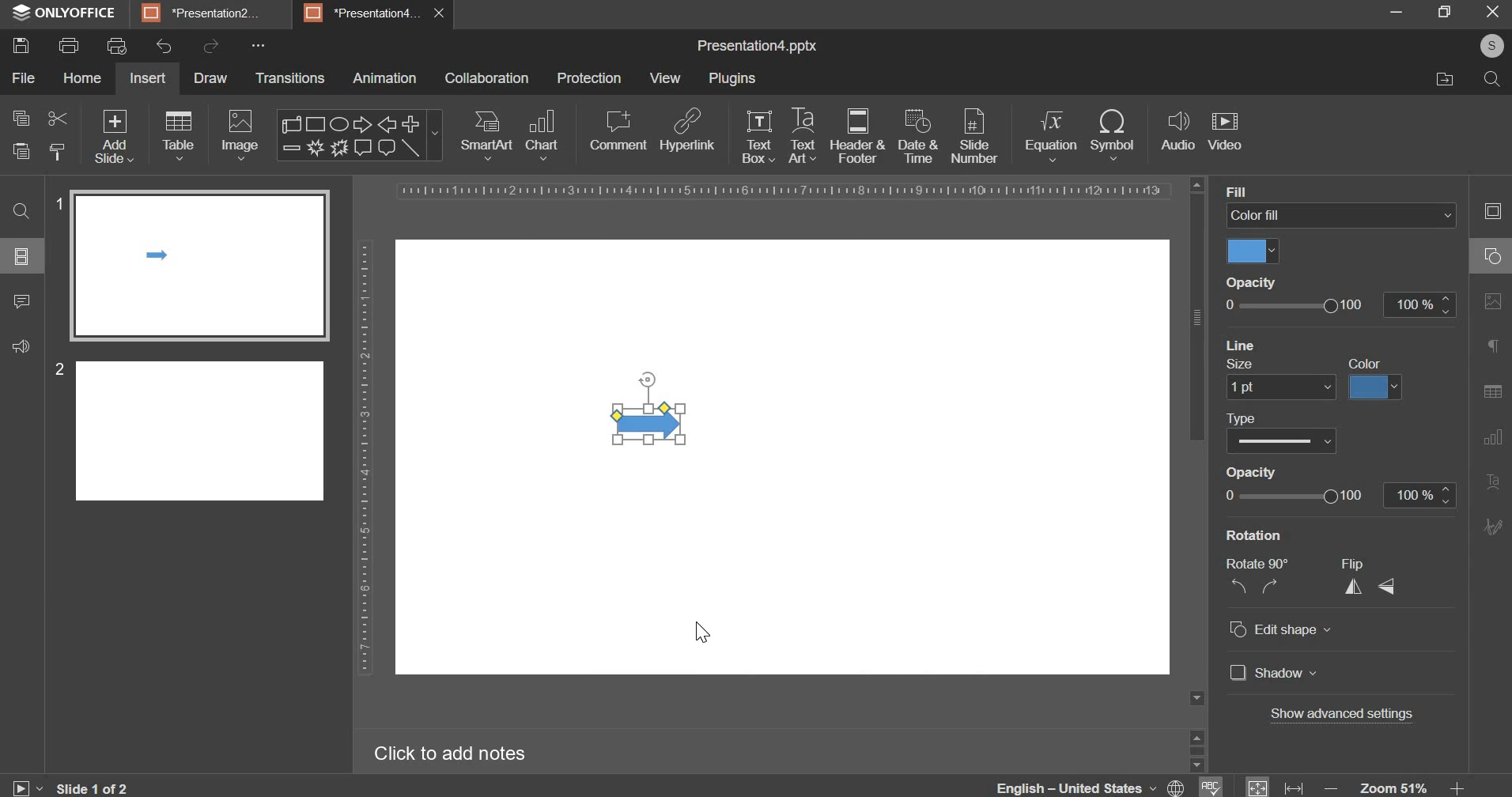 This screenshot has width=1512, height=797. What do you see at coordinates (384, 80) in the screenshot?
I see `animation` at bounding box center [384, 80].